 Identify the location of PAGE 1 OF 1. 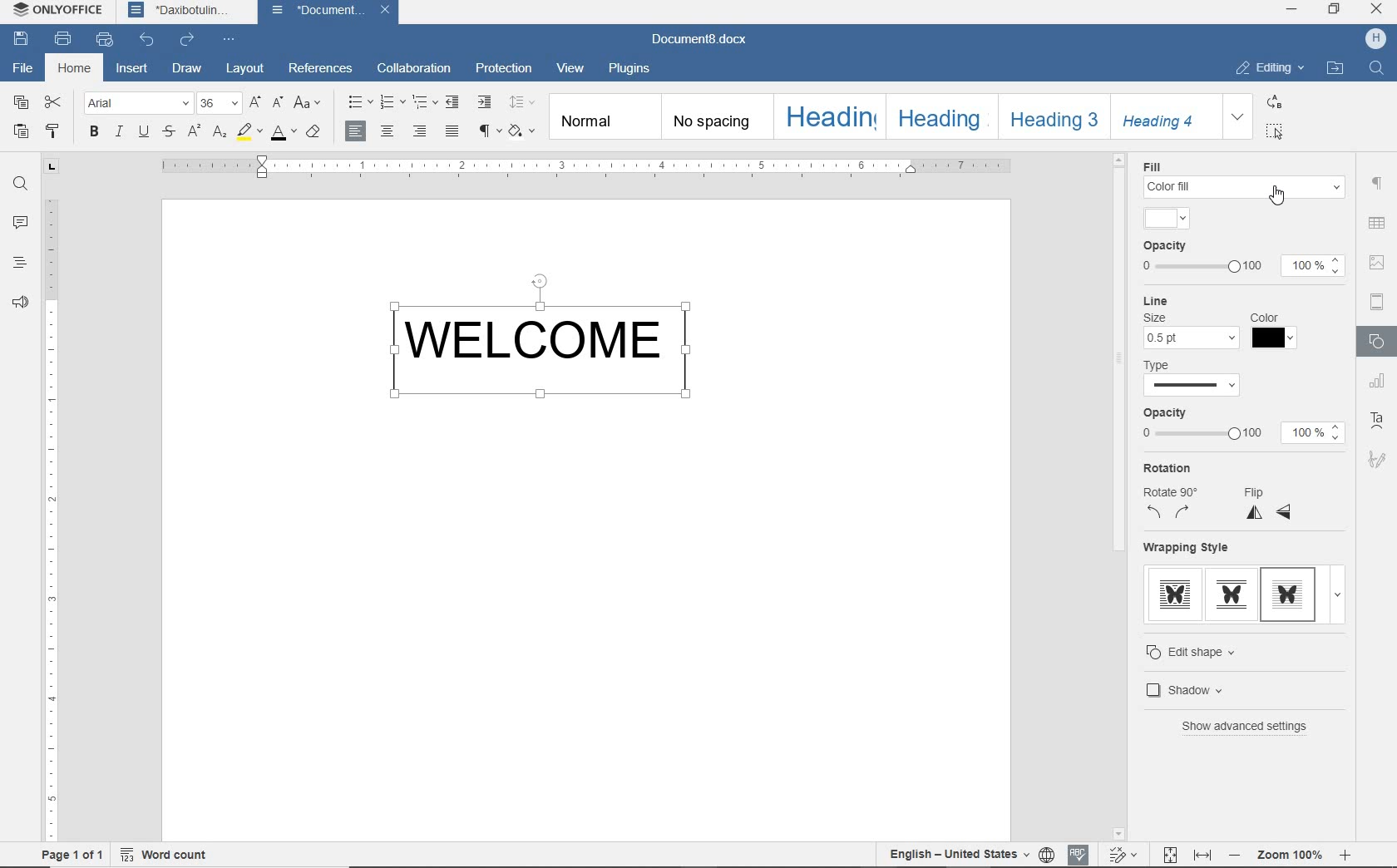
(72, 855).